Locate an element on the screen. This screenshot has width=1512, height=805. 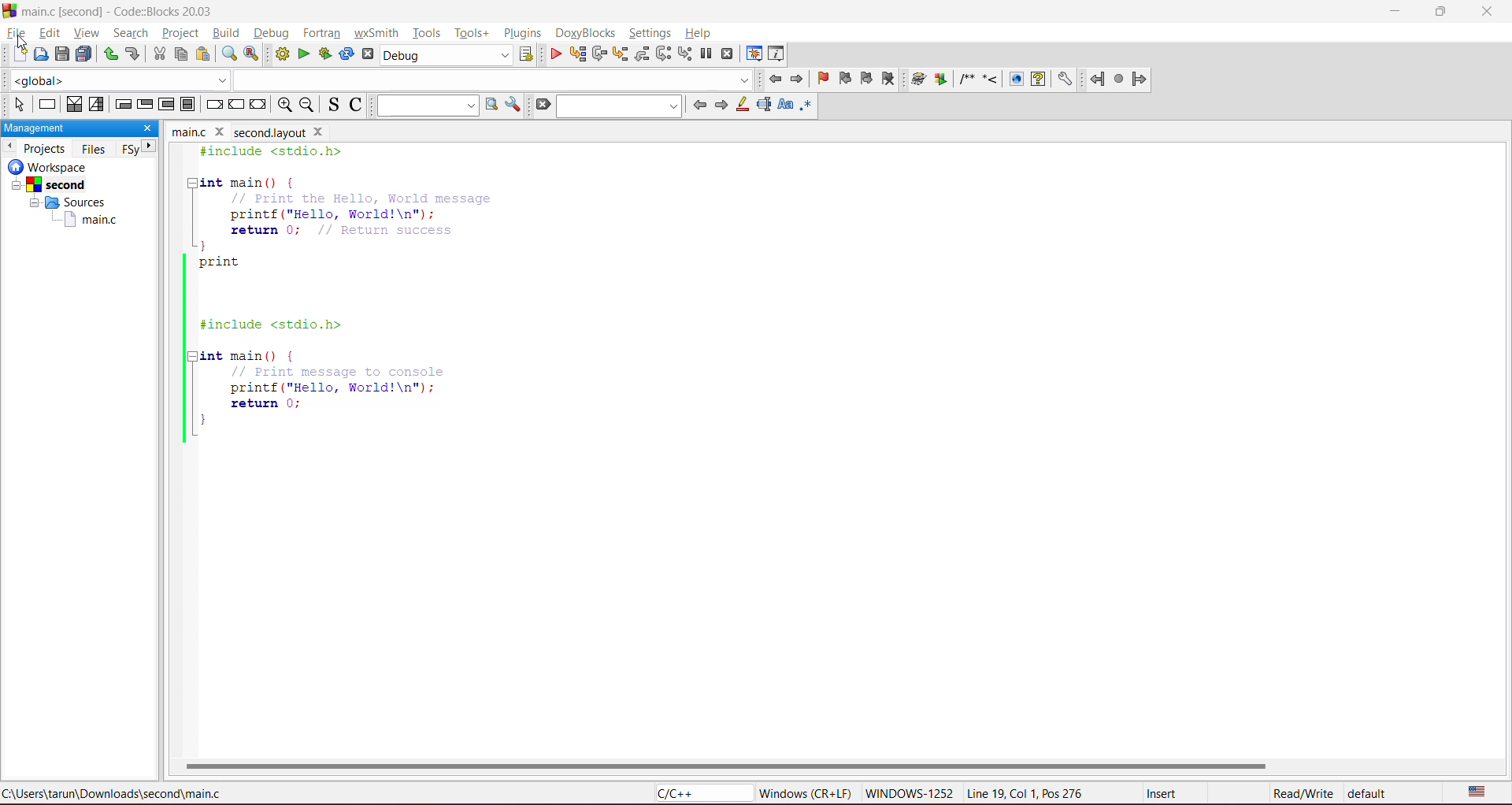
view is located at coordinates (86, 35).